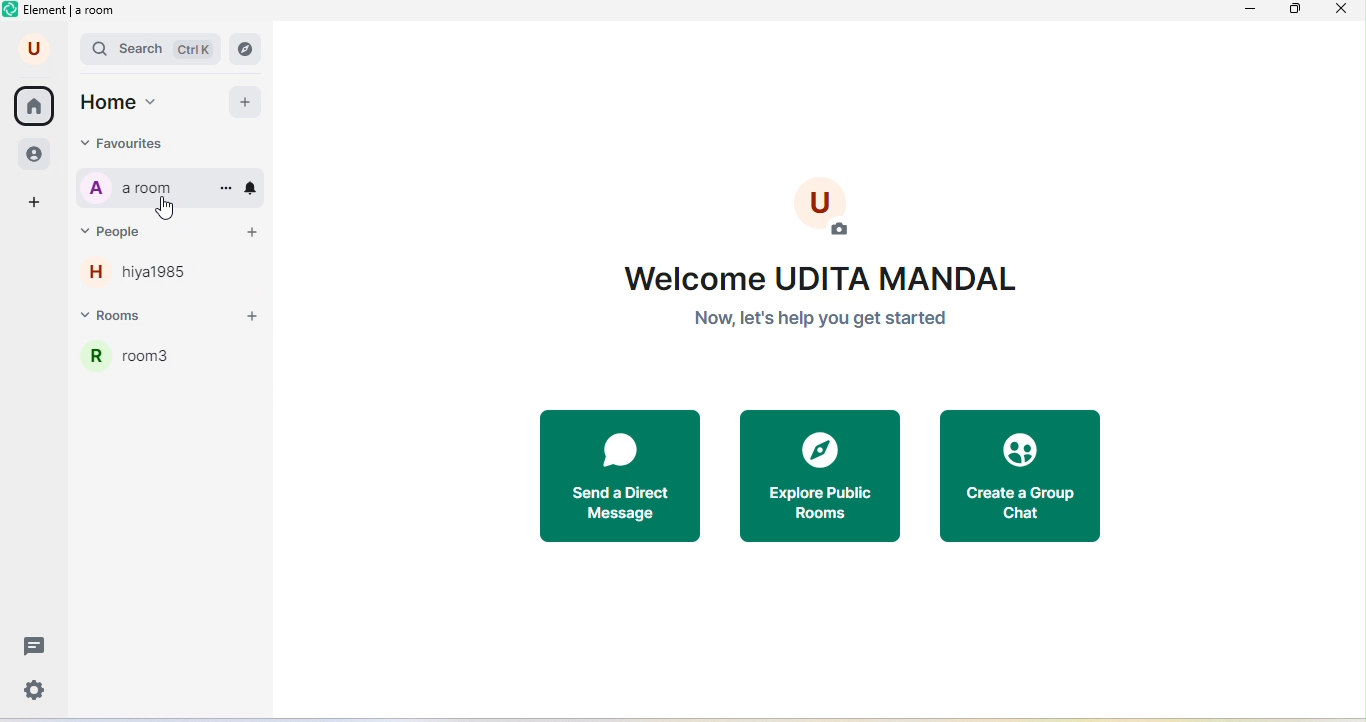 This screenshot has height=722, width=1366. Describe the element at coordinates (621, 473) in the screenshot. I see `send a direct message` at that location.